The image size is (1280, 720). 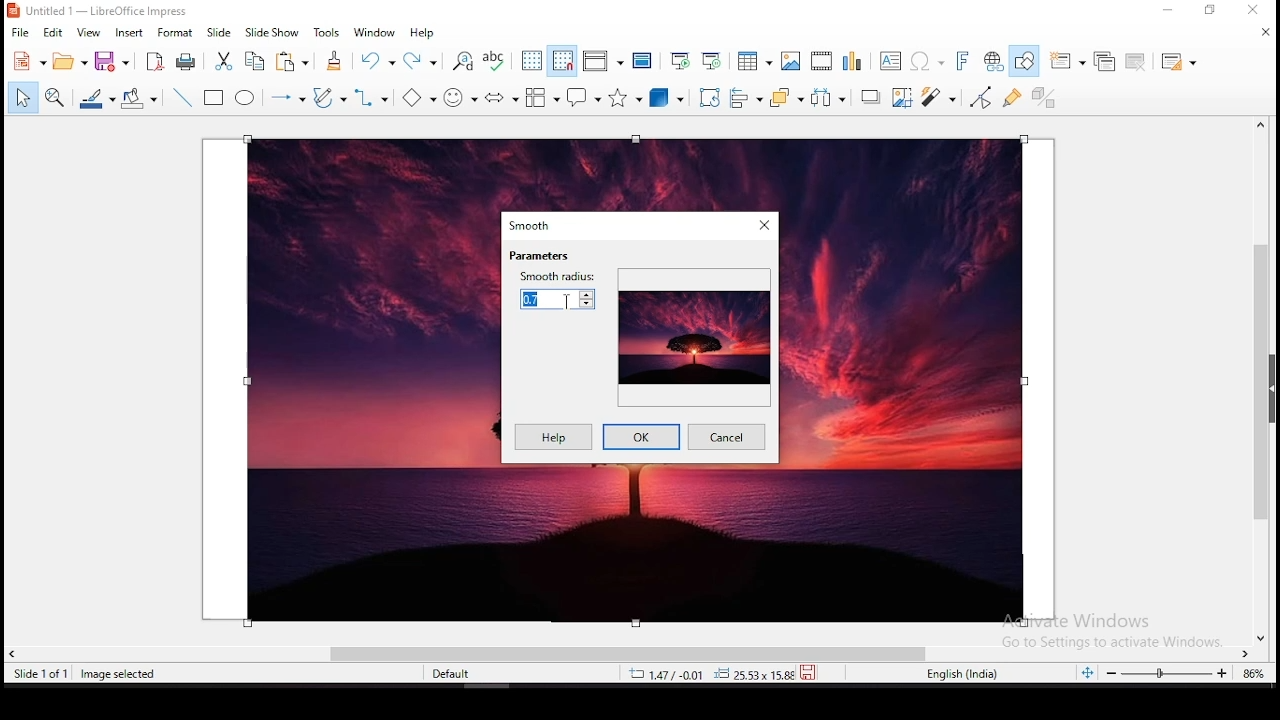 I want to click on new tool, so click(x=28, y=64).